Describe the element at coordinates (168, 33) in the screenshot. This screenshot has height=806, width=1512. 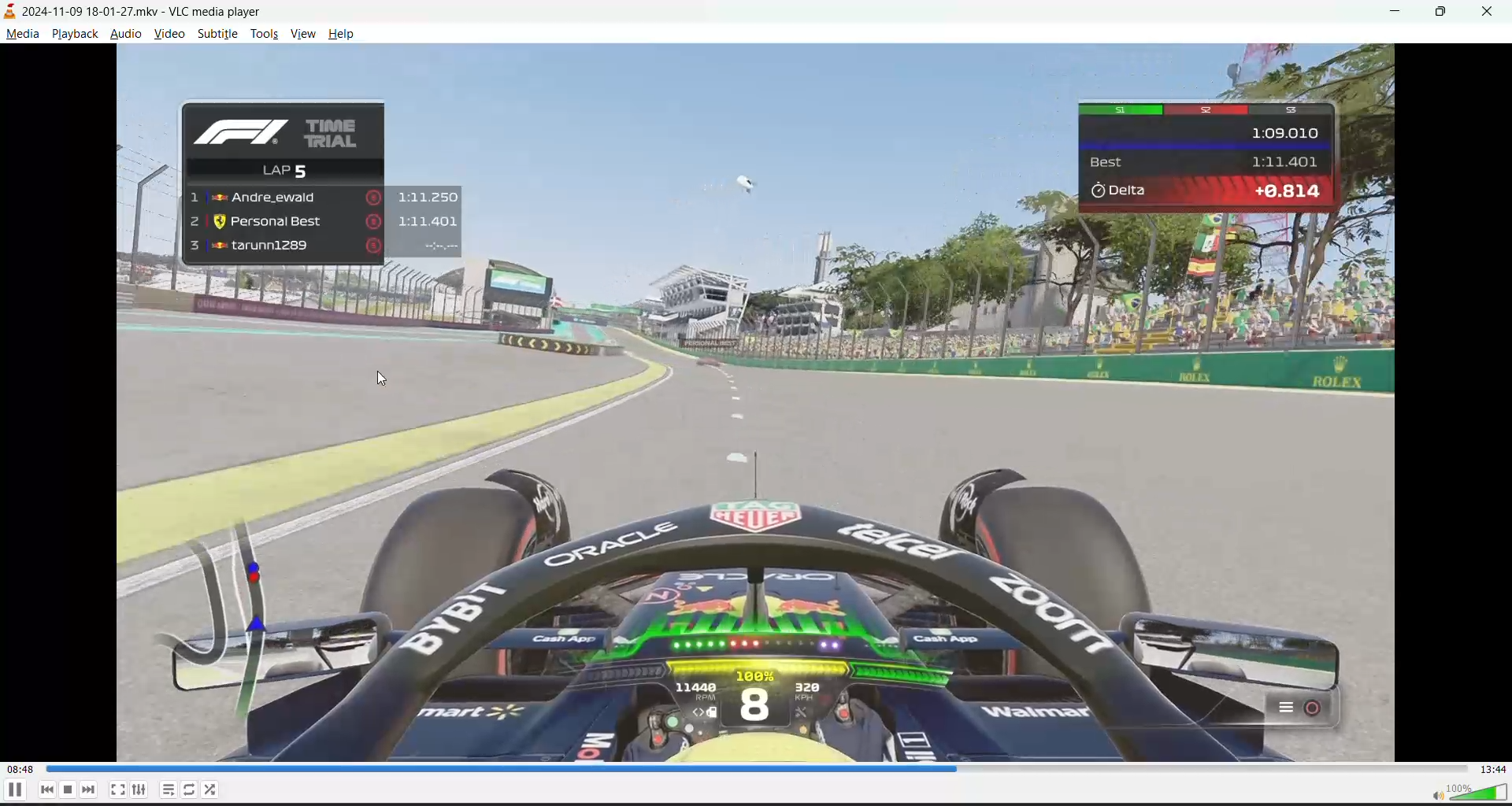
I see `video` at that location.